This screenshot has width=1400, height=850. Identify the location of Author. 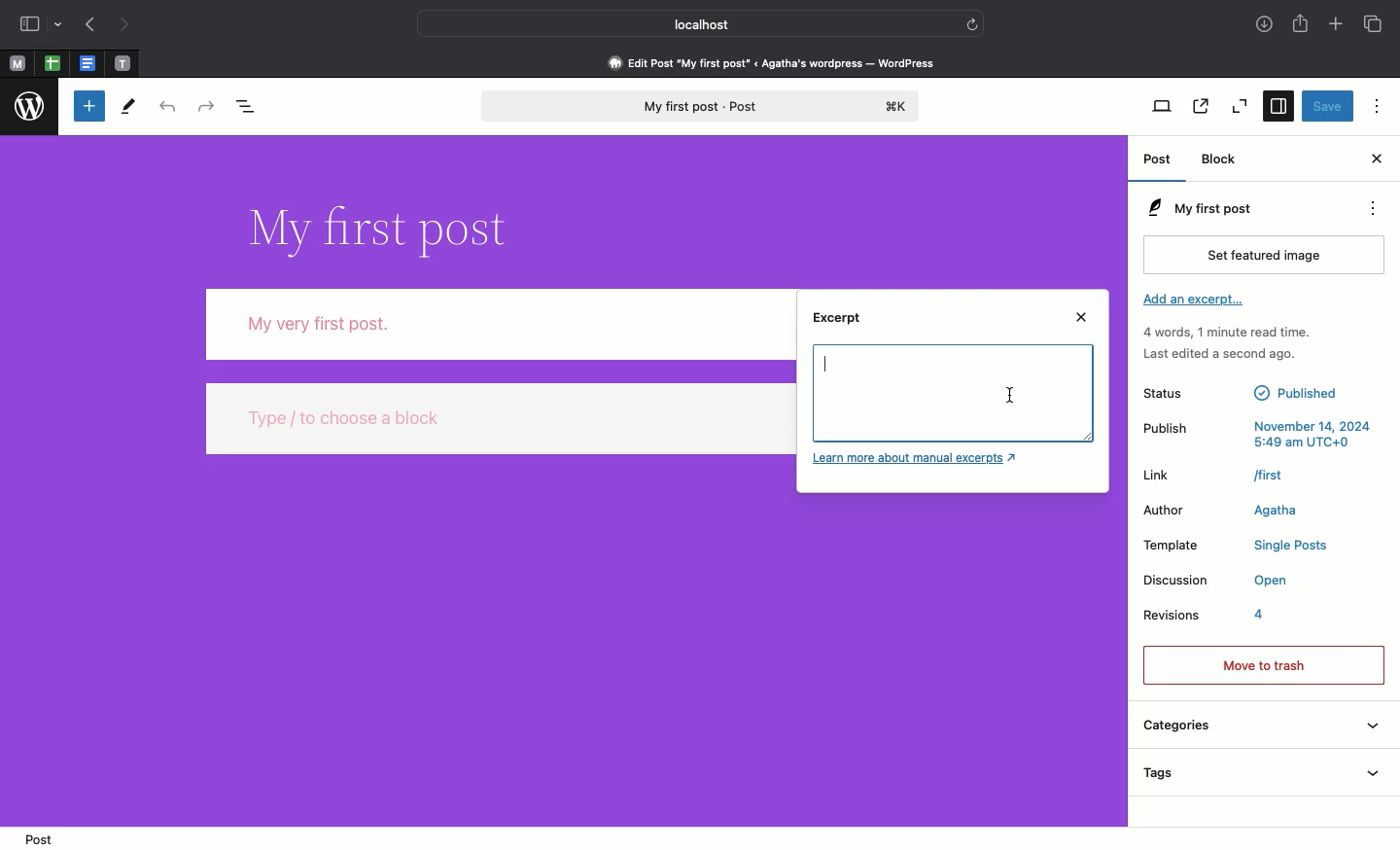
(1230, 510).